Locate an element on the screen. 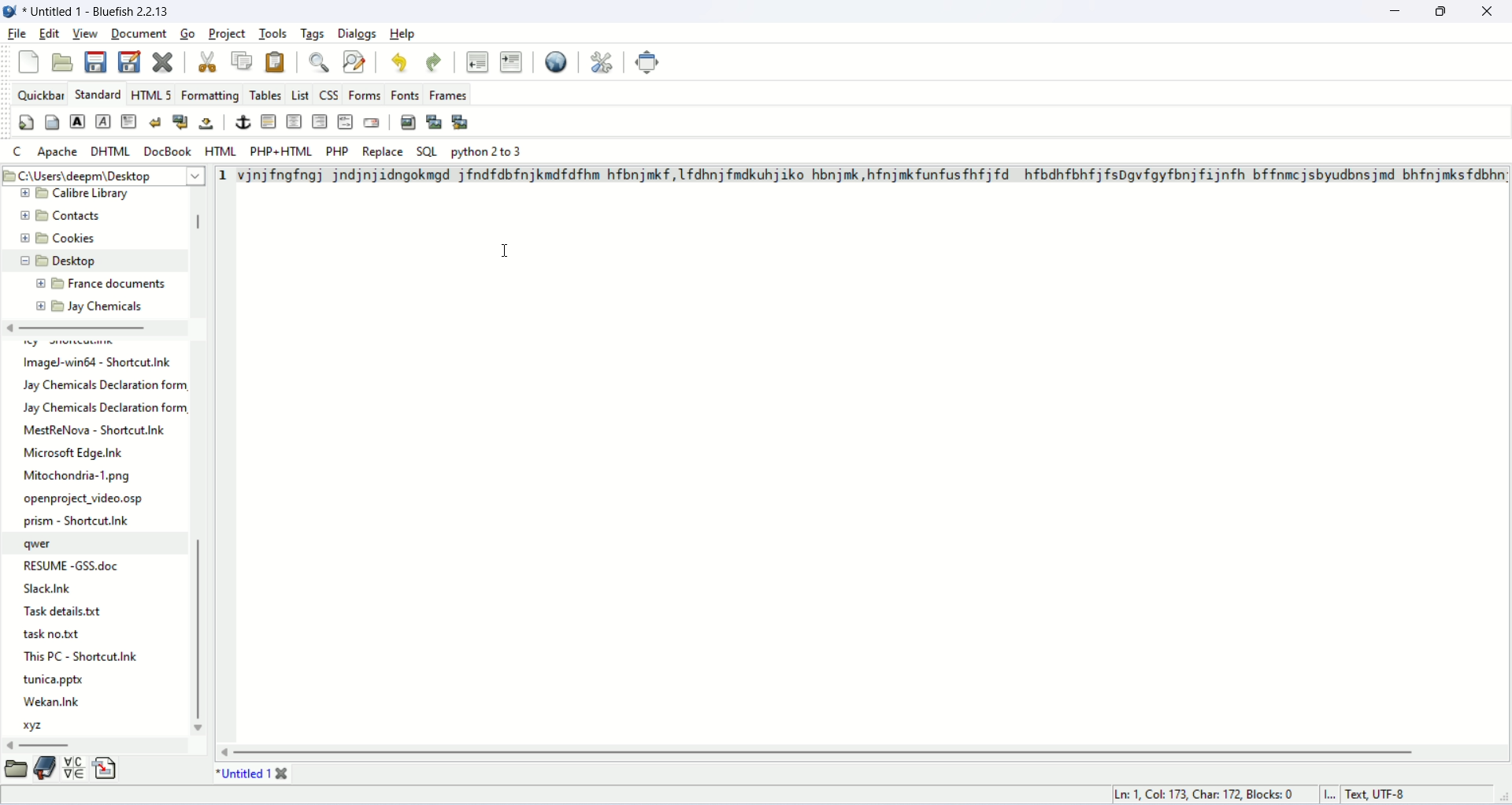 This screenshot has width=1512, height=805. fonts is located at coordinates (405, 95).